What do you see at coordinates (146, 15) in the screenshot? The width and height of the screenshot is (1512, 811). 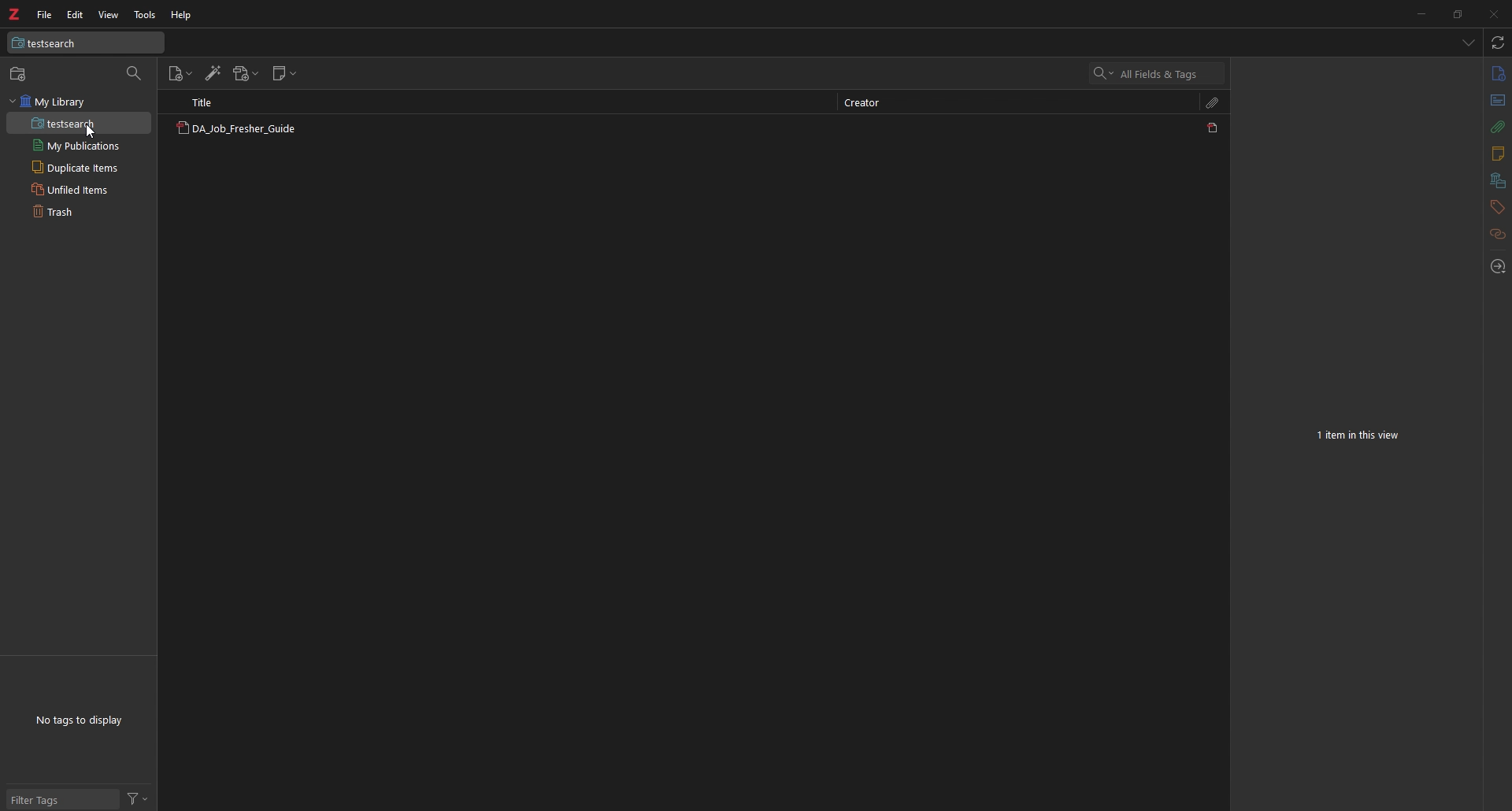 I see `tools` at bounding box center [146, 15].